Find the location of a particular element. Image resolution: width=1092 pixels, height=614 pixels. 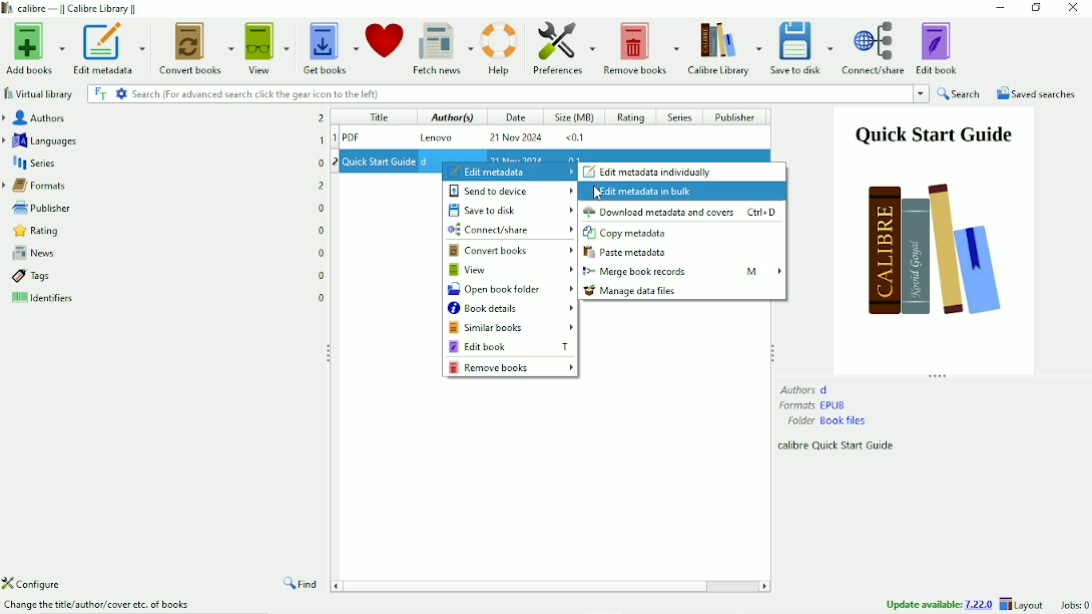

Close is located at coordinates (1072, 9).